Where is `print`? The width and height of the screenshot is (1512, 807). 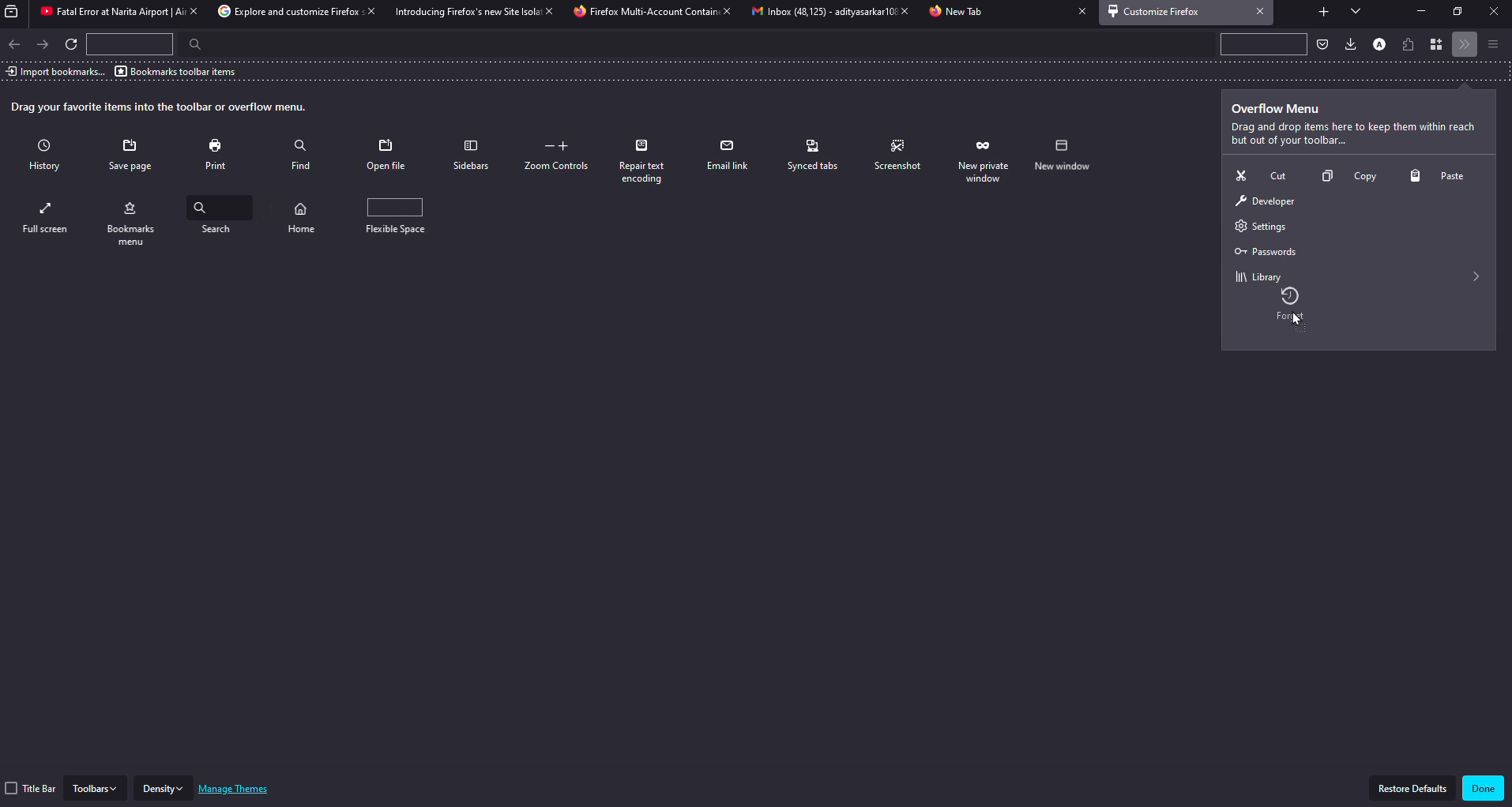
print is located at coordinates (219, 154).